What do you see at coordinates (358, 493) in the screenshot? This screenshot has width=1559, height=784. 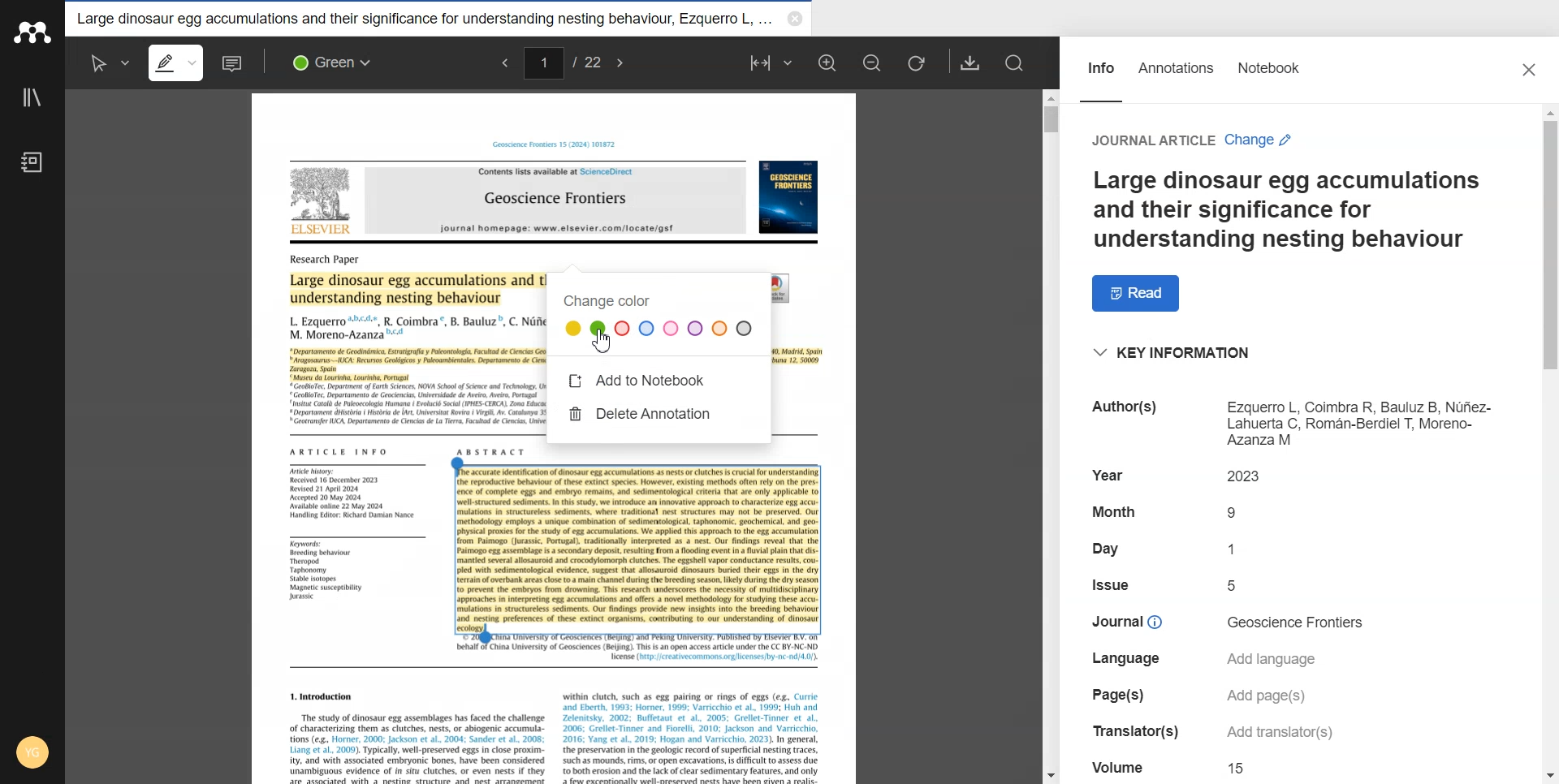 I see `text` at bounding box center [358, 493].